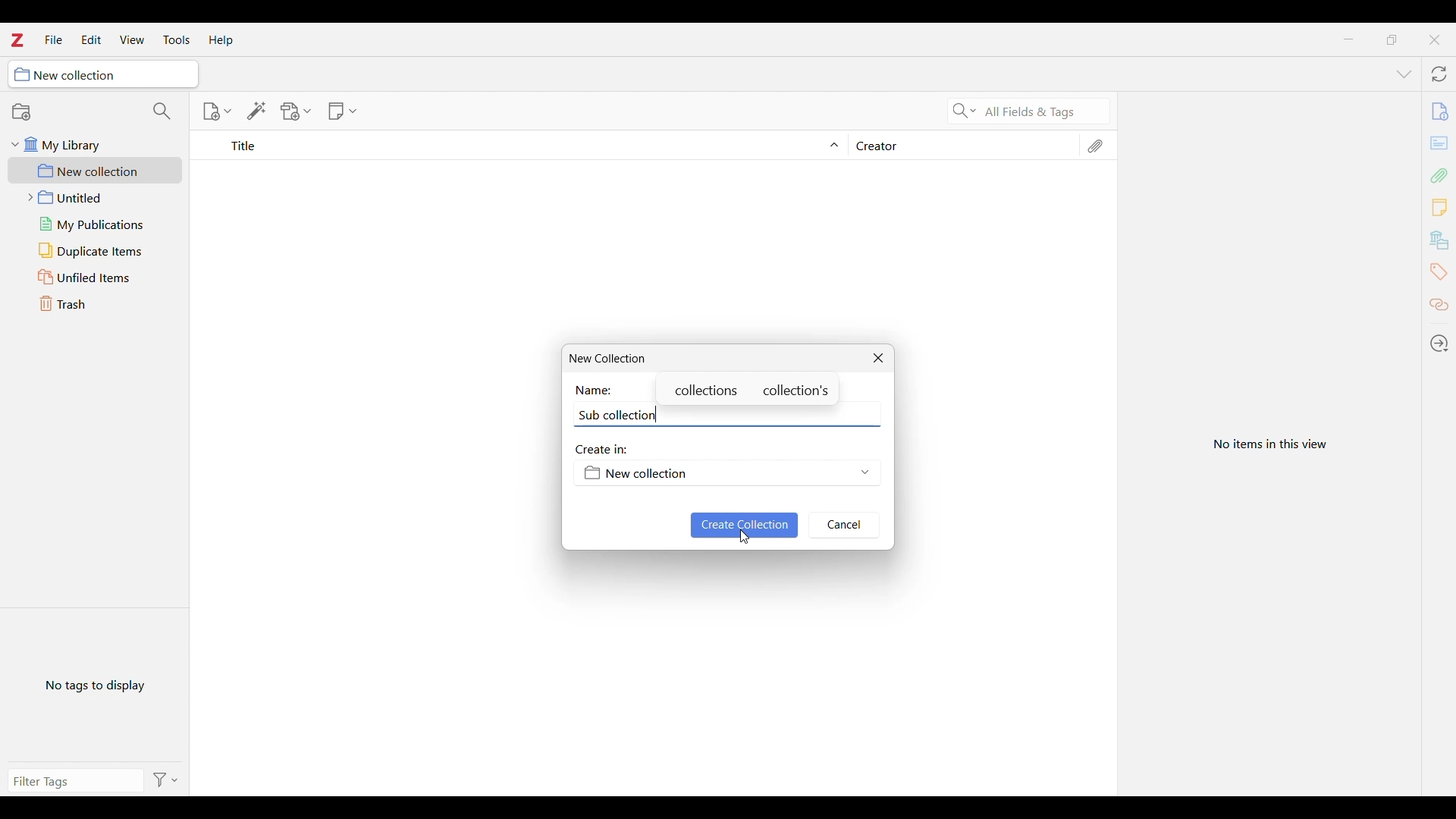  Describe the element at coordinates (745, 526) in the screenshot. I see `Save inputs made to create new collection` at that location.